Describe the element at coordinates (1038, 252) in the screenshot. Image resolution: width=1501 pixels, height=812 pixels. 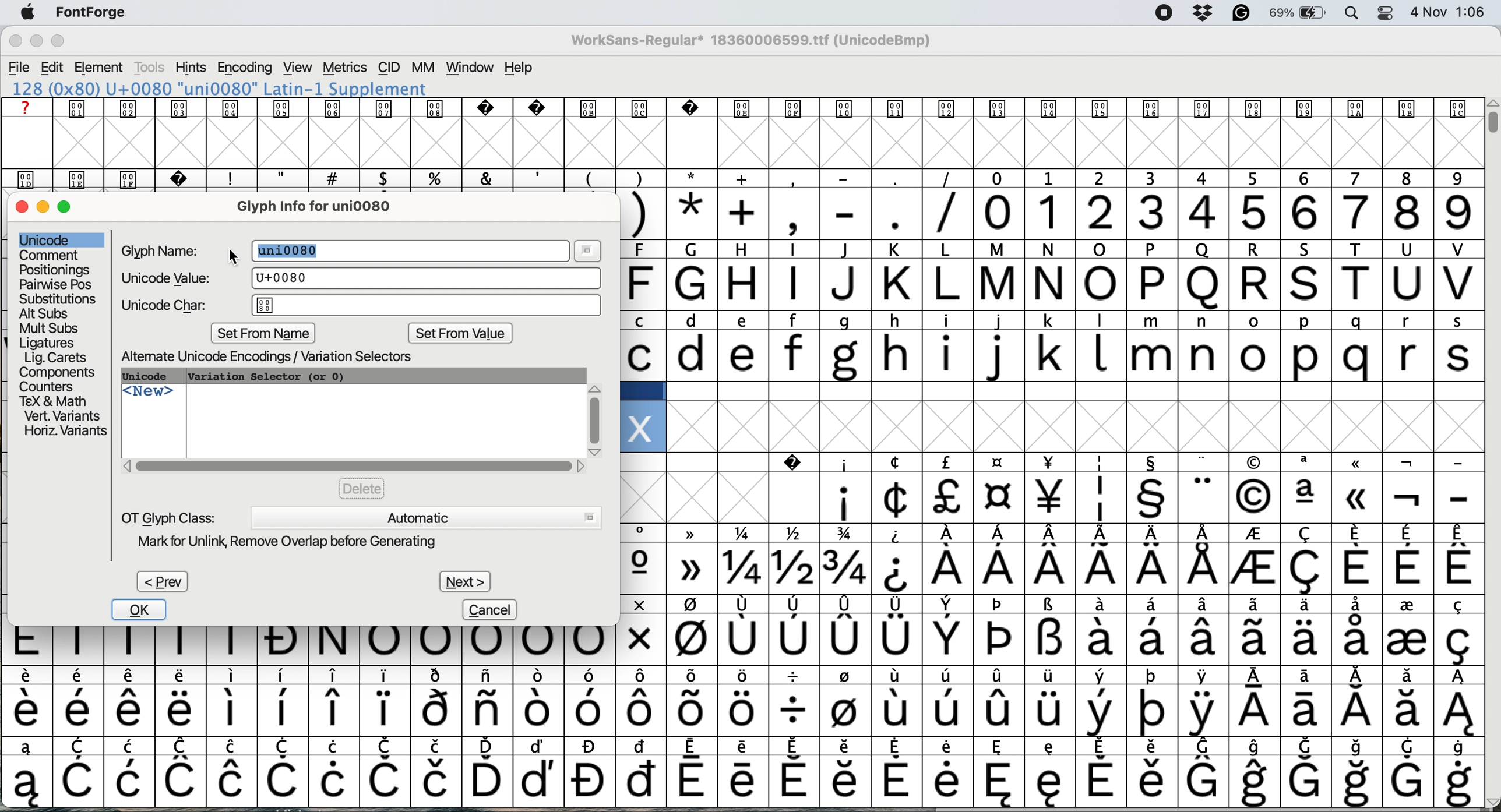
I see `special characters and text` at that location.